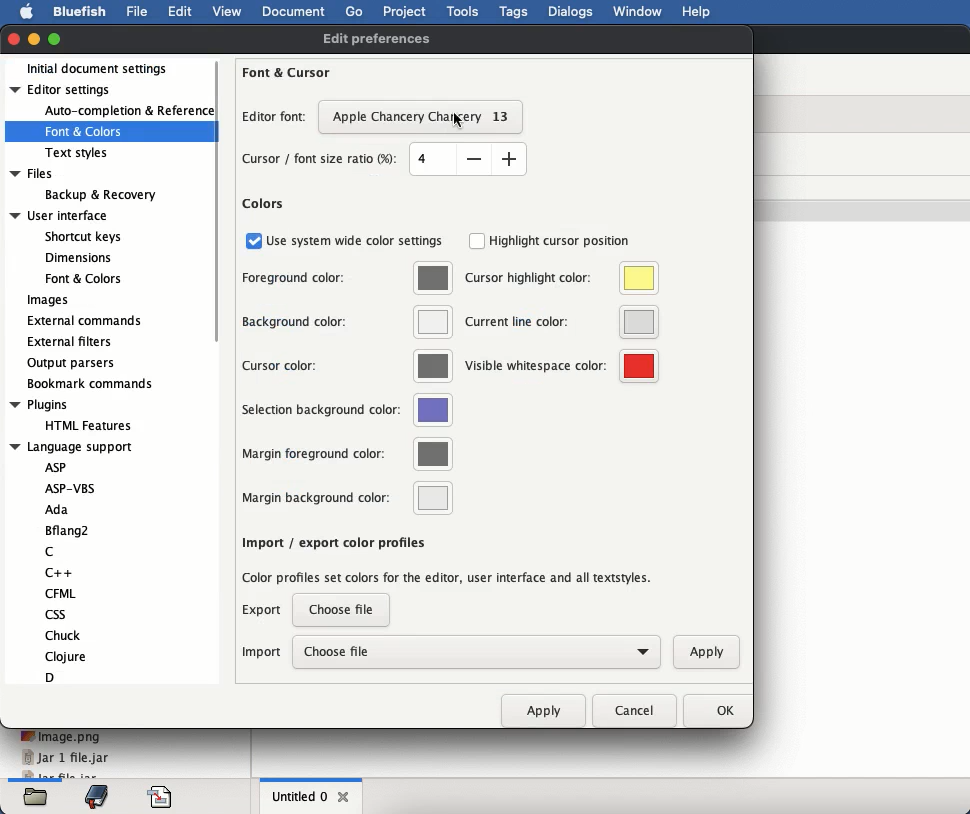 The image size is (970, 814). I want to click on image, so click(61, 736).